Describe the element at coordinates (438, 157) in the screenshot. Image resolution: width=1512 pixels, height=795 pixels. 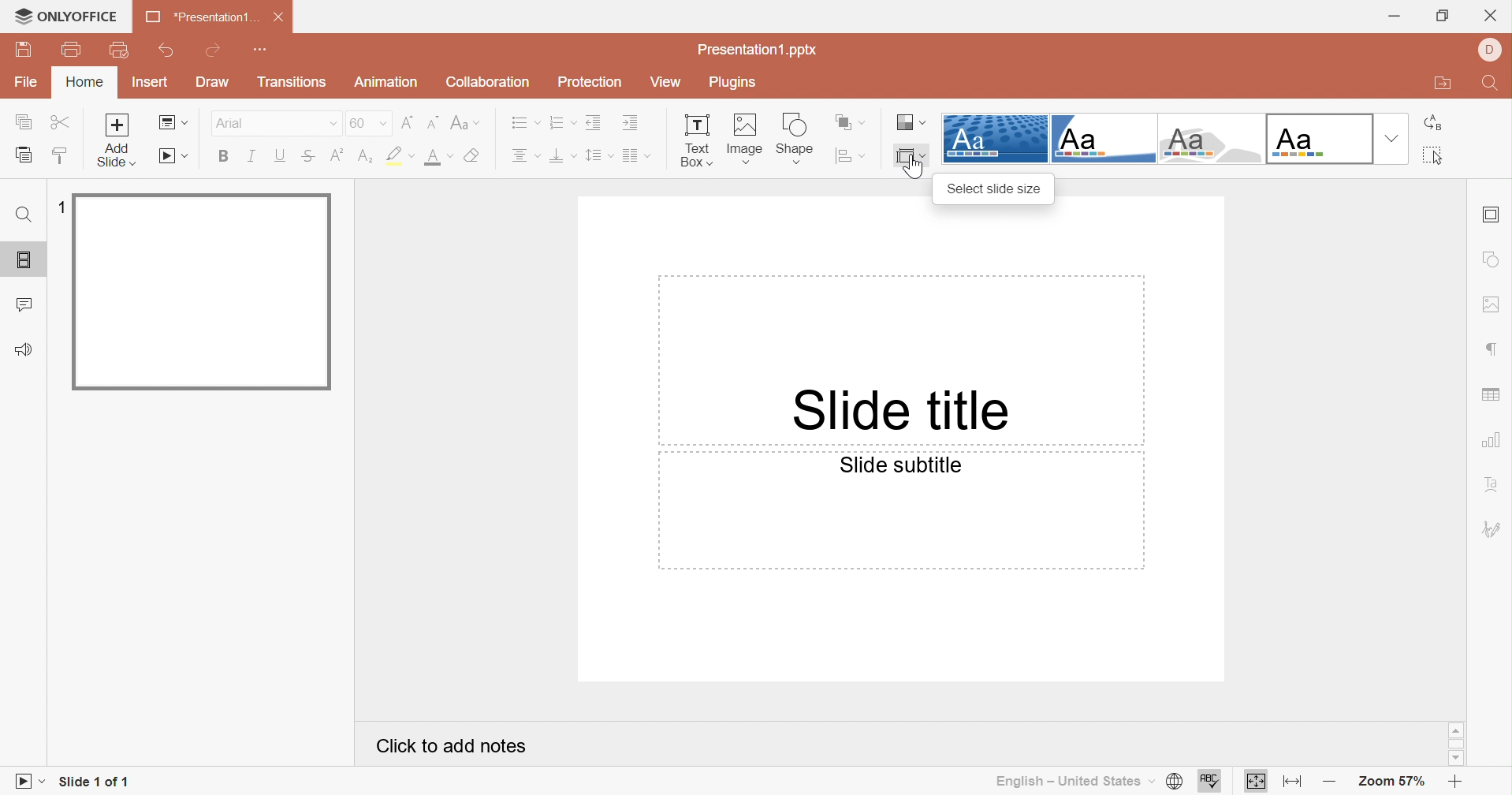
I see `Font color` at that location.